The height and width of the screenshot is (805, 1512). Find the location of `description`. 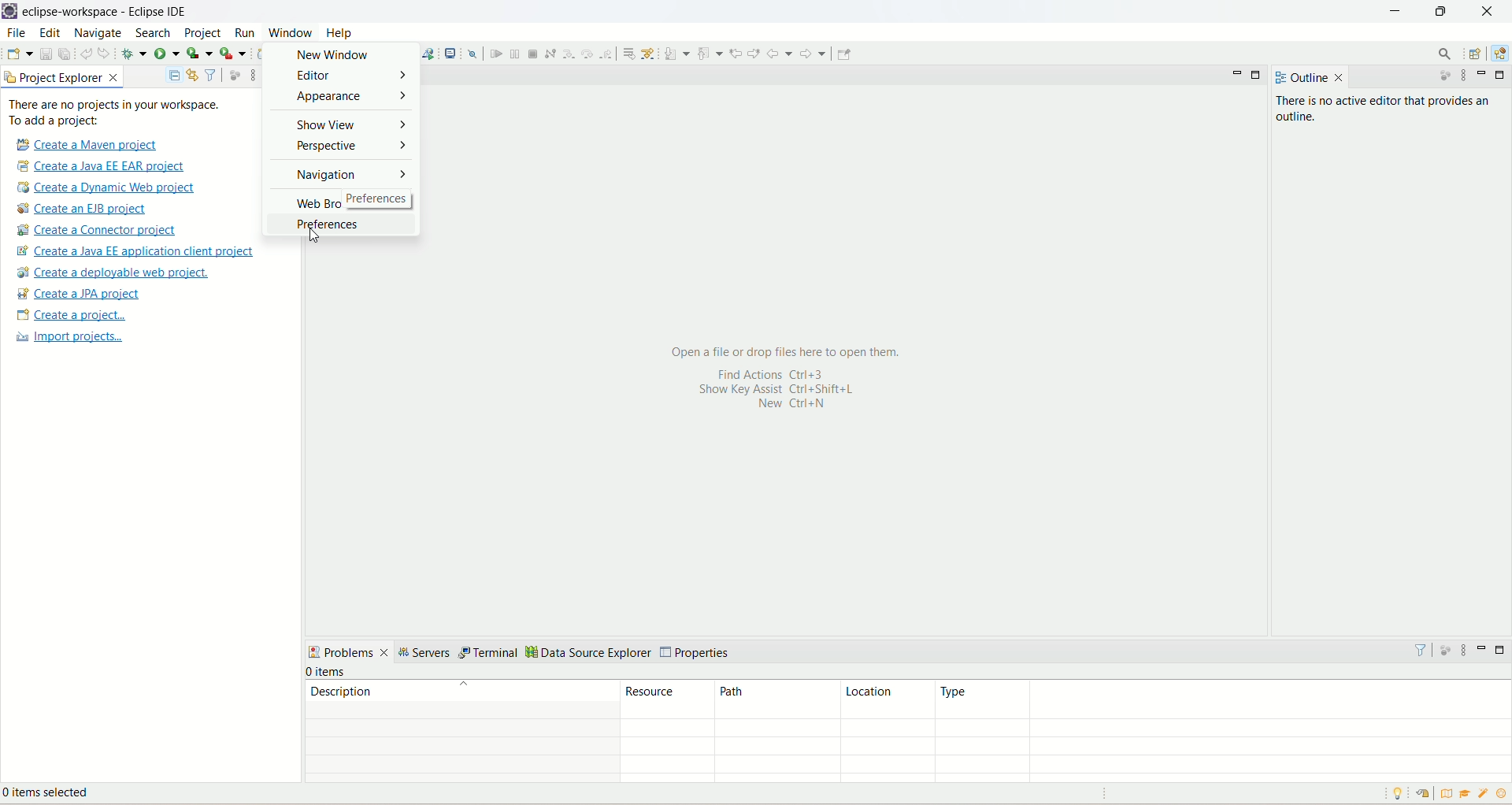

description is located at coordinates (461, 691).